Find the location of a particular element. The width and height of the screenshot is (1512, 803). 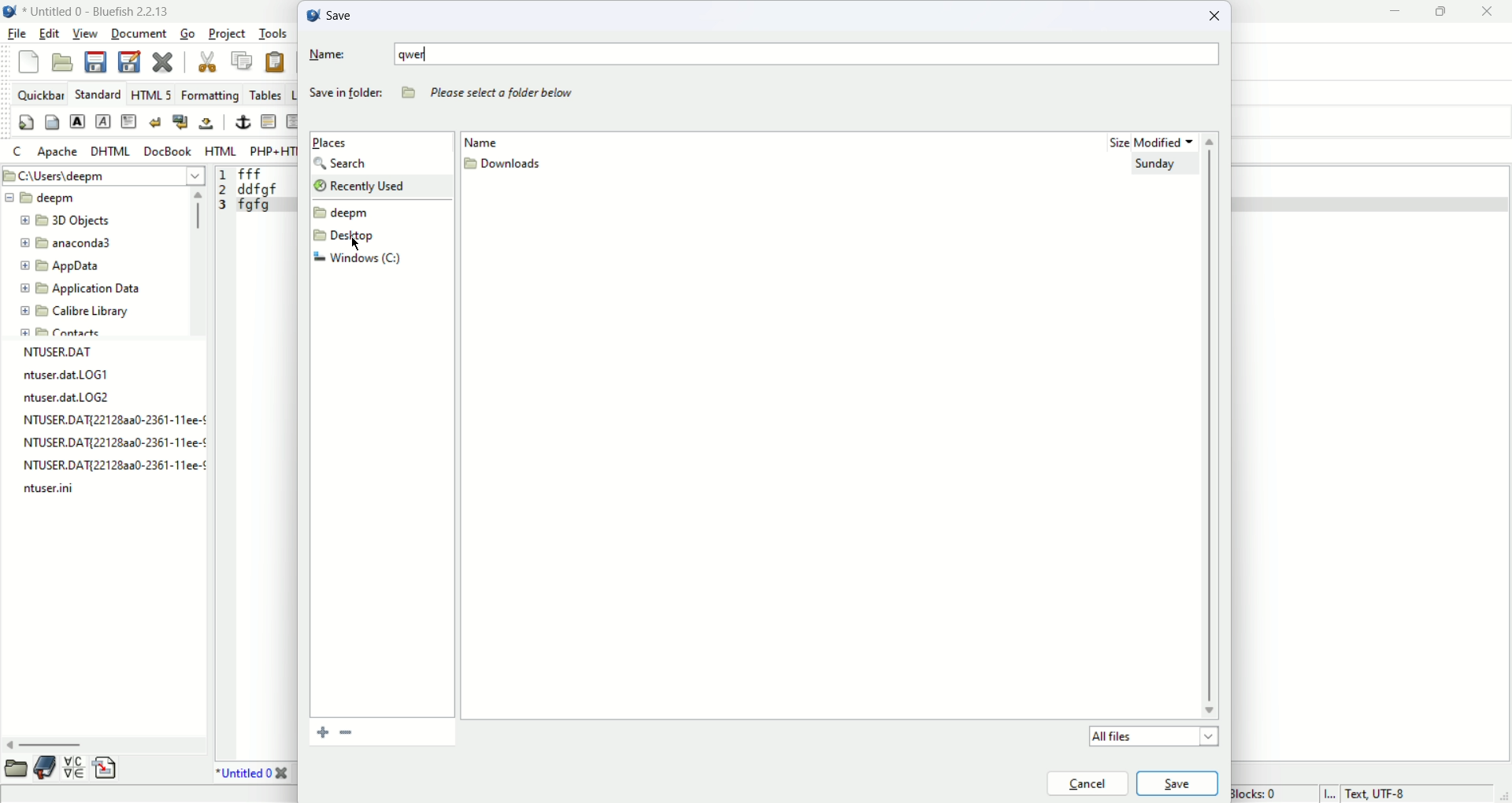

deepm is located at coordinates (42, 198).